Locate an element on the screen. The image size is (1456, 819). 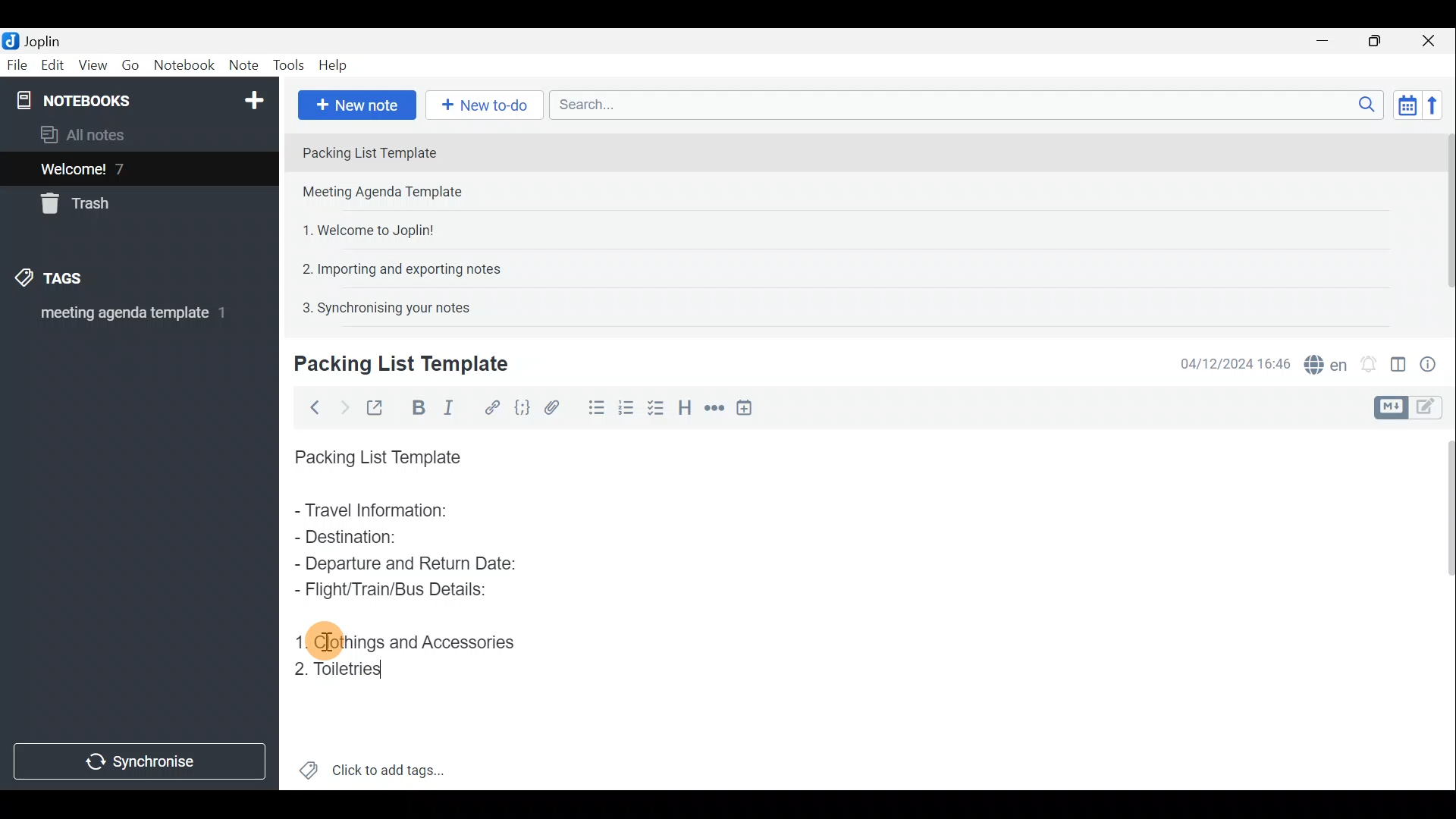
Forward is located at coordinates (341, 406).